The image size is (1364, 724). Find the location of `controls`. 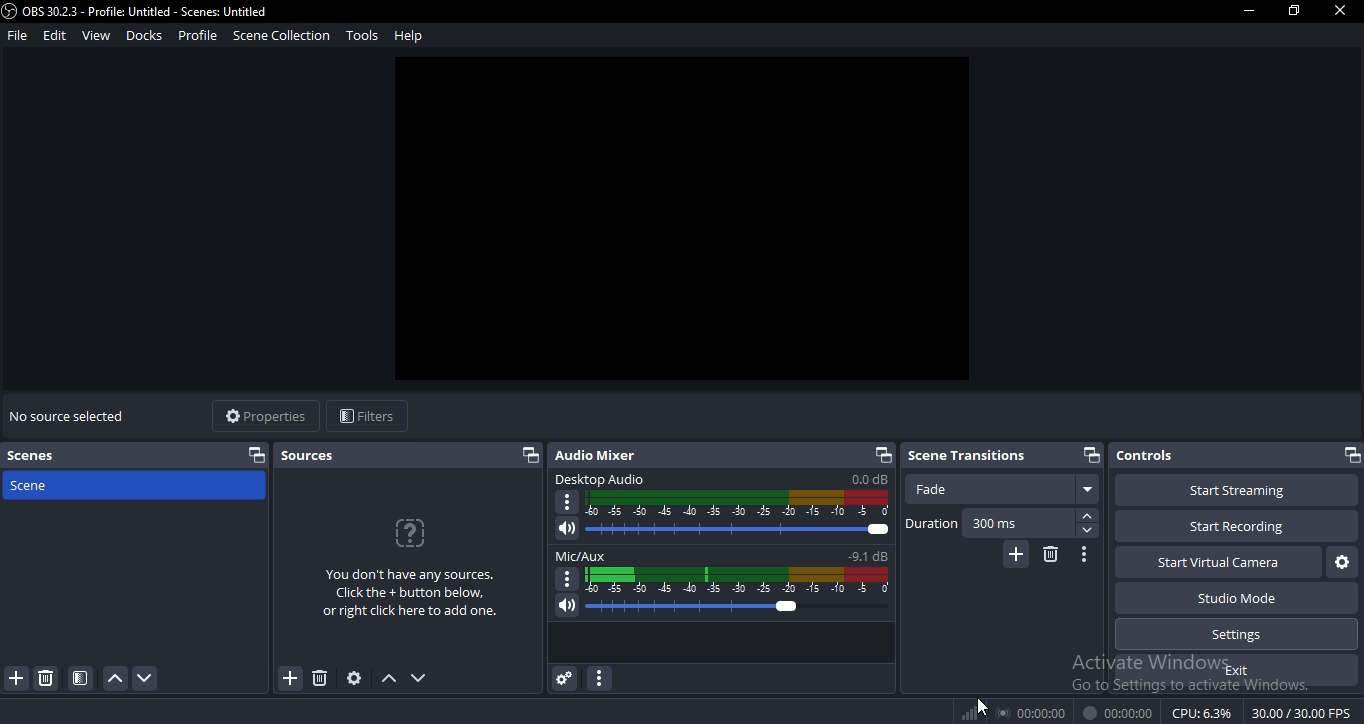

controls is located at coordinates (1147, 456).